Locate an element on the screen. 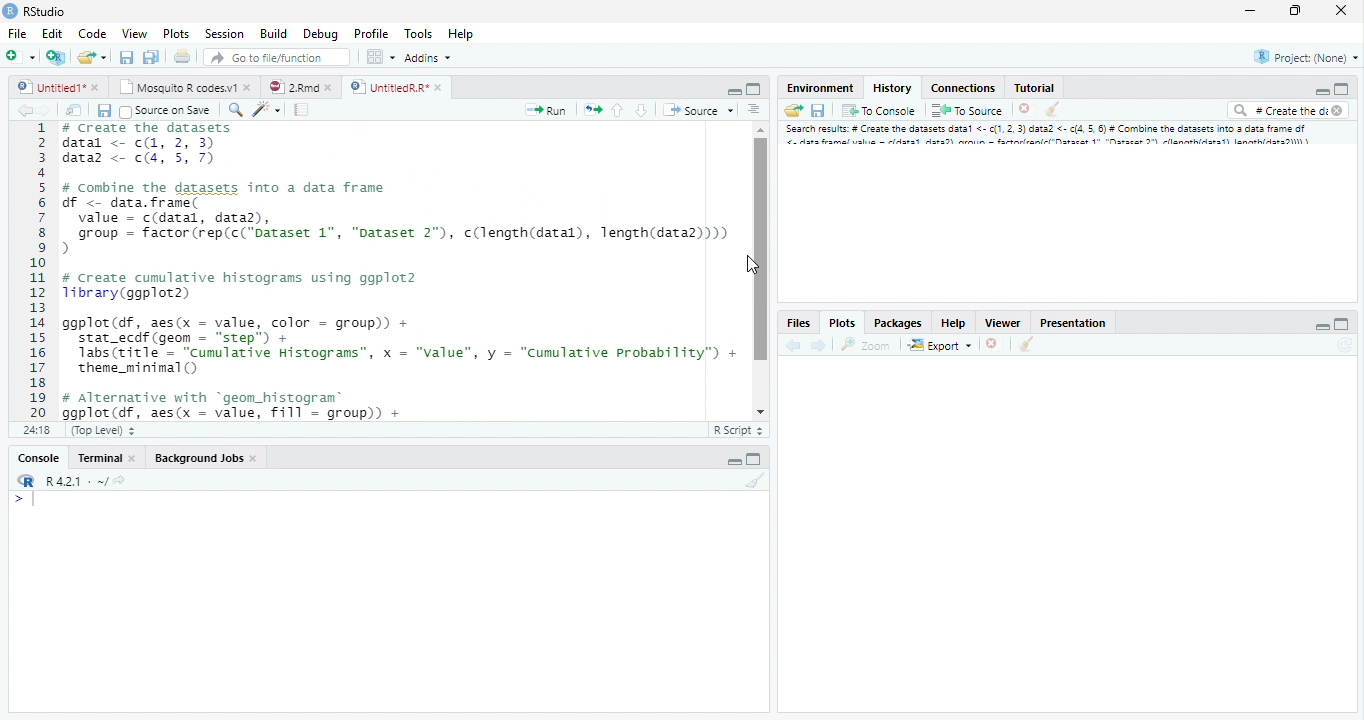 The width and height of the screenshot is (1364, 720). Minimize is located at coordinates (733, 461).